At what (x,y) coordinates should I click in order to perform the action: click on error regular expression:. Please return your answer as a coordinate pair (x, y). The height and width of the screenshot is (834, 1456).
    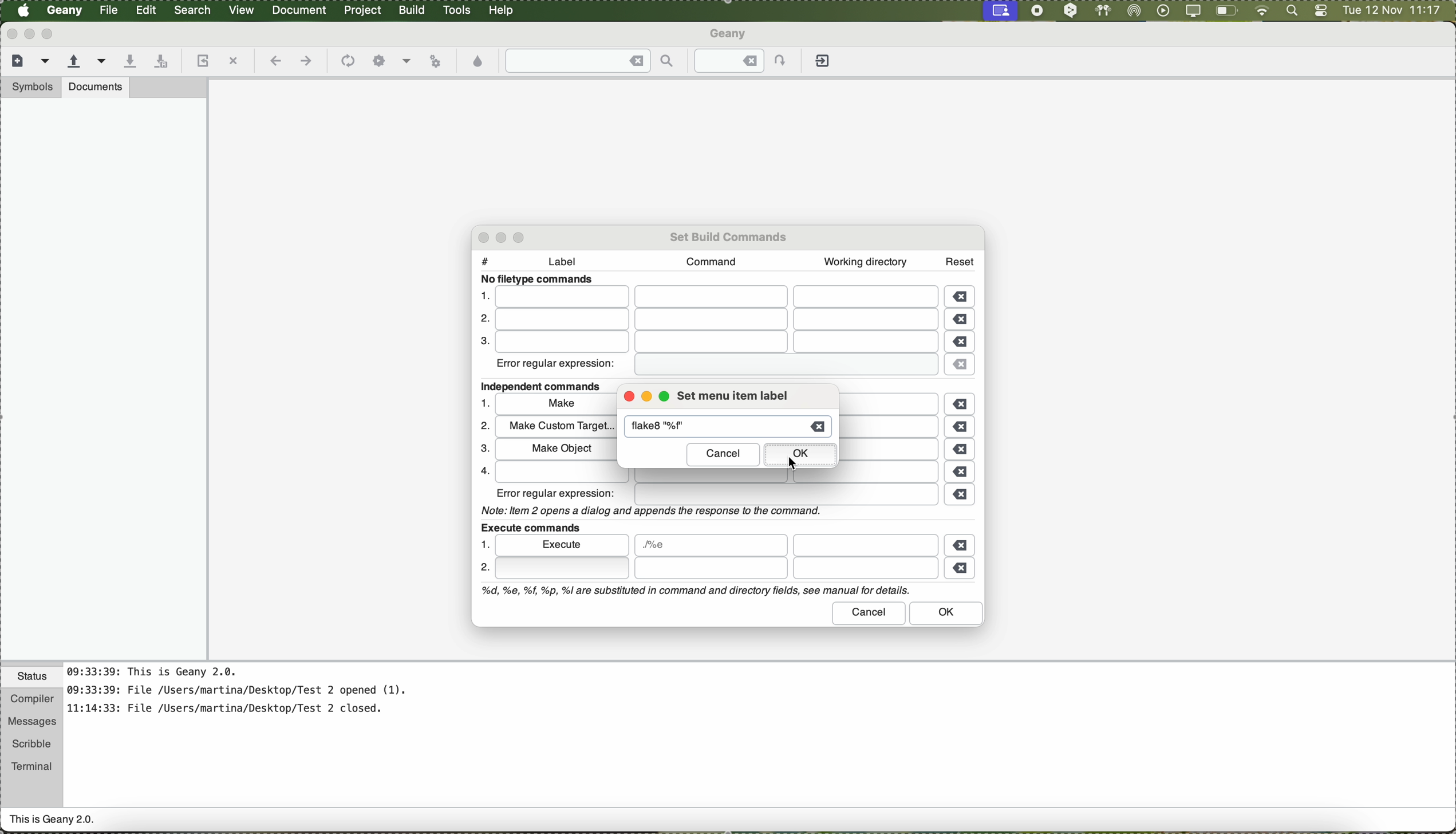
    Looking at the image, I should click on (557, 493).